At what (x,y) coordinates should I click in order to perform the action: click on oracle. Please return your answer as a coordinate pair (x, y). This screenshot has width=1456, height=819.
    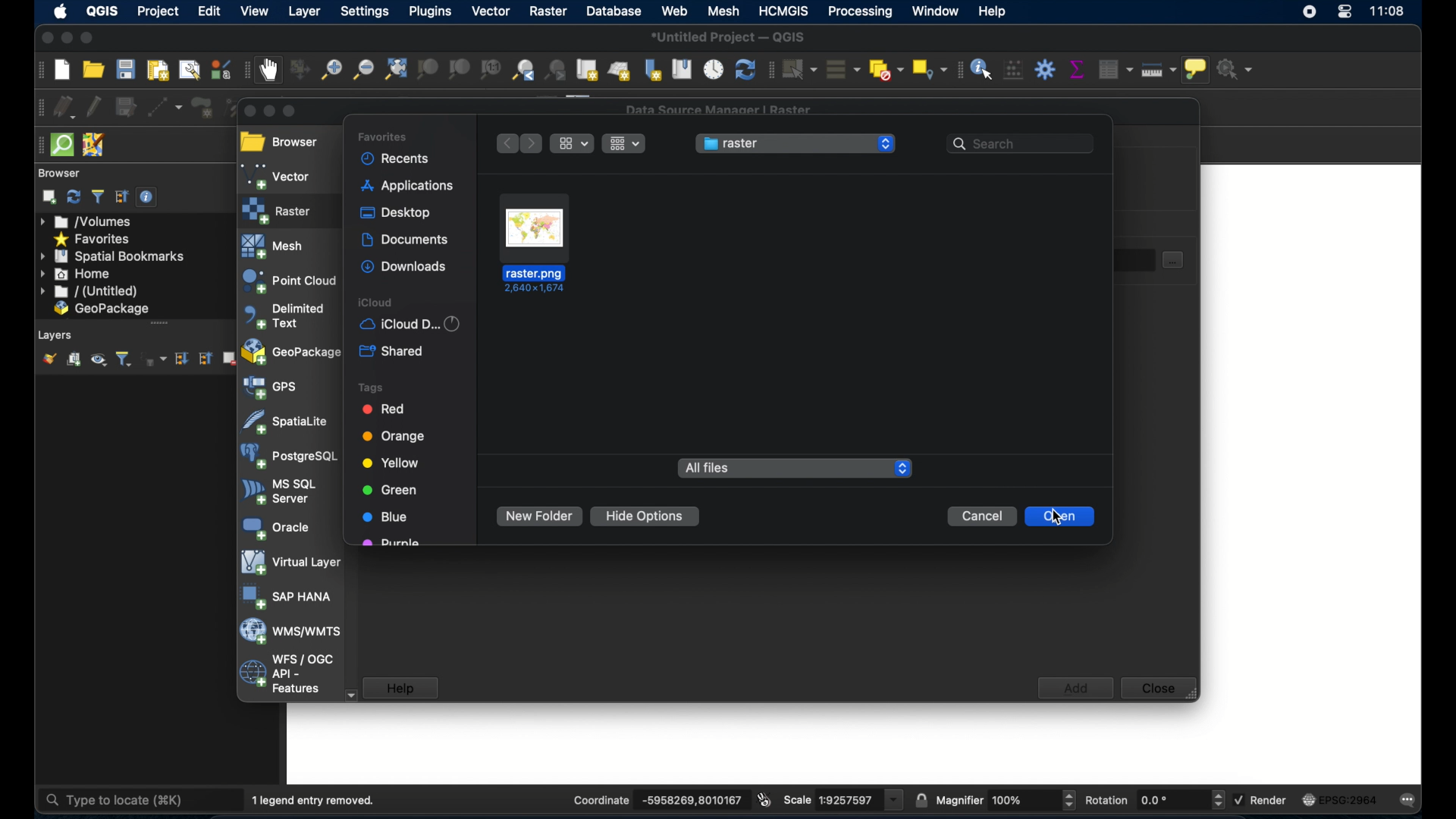
    Looking at the image, I should click on (280, 527).